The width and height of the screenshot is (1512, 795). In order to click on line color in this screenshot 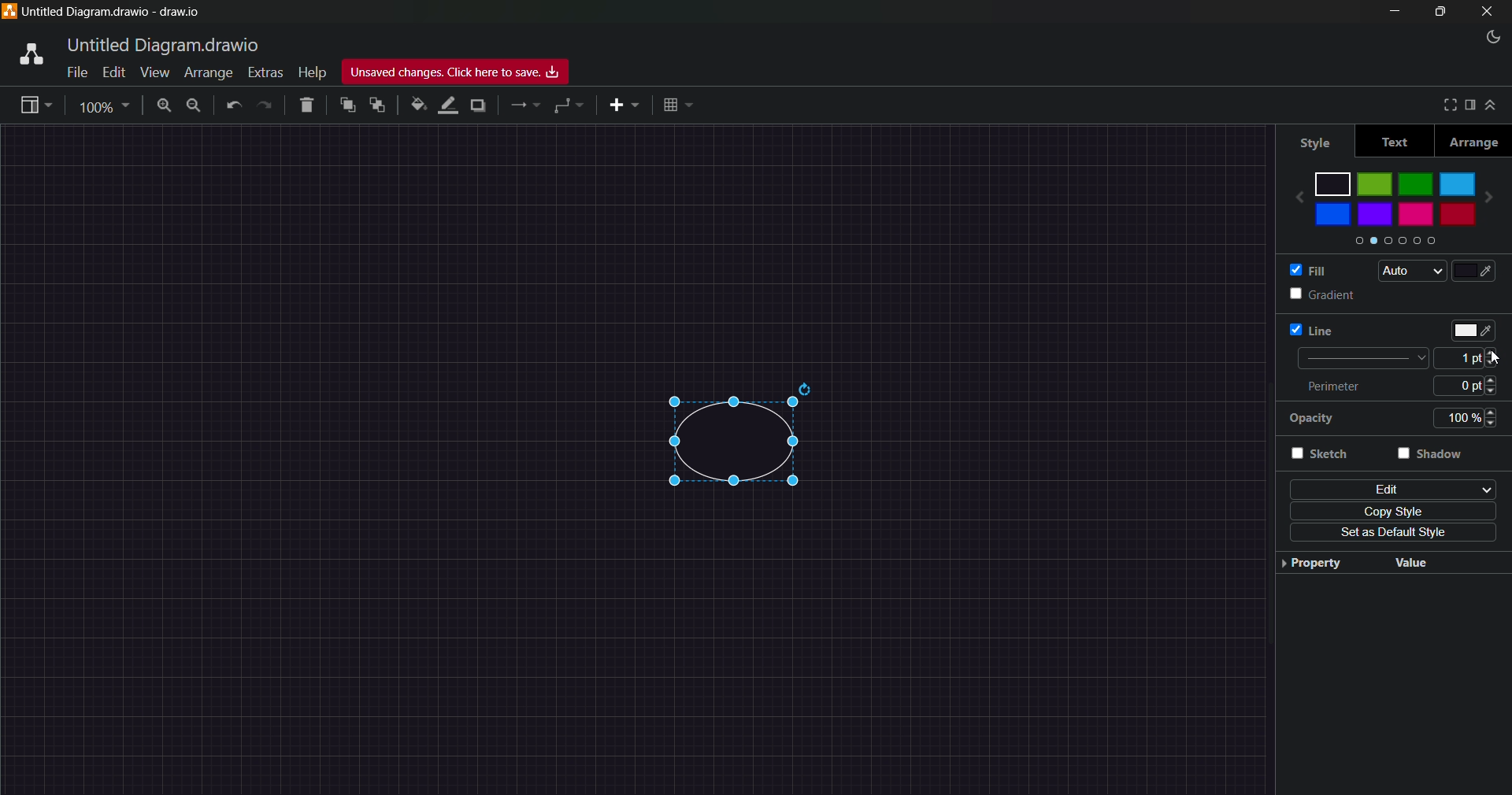, I will do `click(1471, 330)`.